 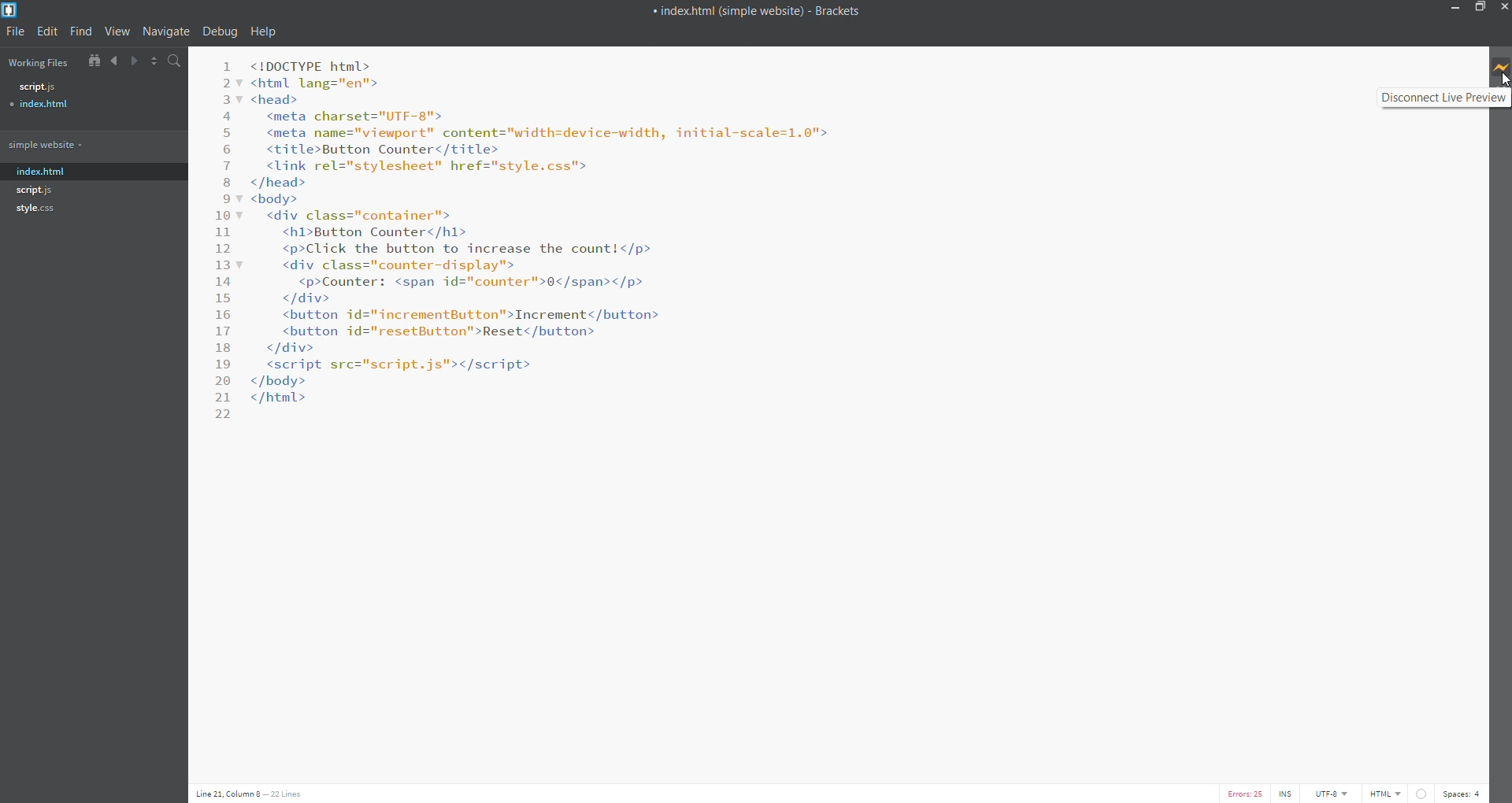 What do you see at coordinates (40, 212) in the screenshot?
I see `style.css.` at bounding box center [40, 212].